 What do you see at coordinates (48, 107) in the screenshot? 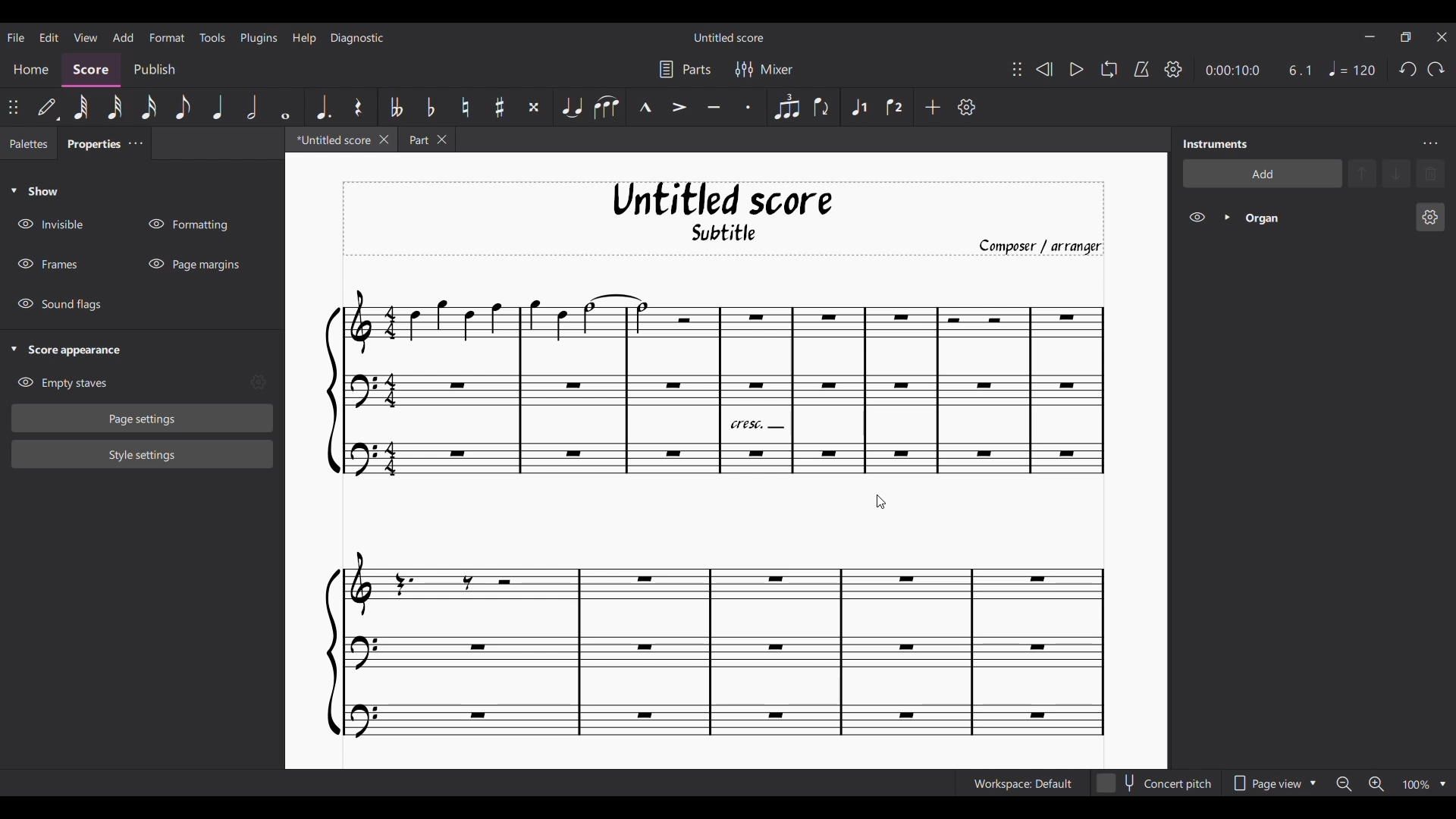
I see `Default` at bounding box center [48, 107].